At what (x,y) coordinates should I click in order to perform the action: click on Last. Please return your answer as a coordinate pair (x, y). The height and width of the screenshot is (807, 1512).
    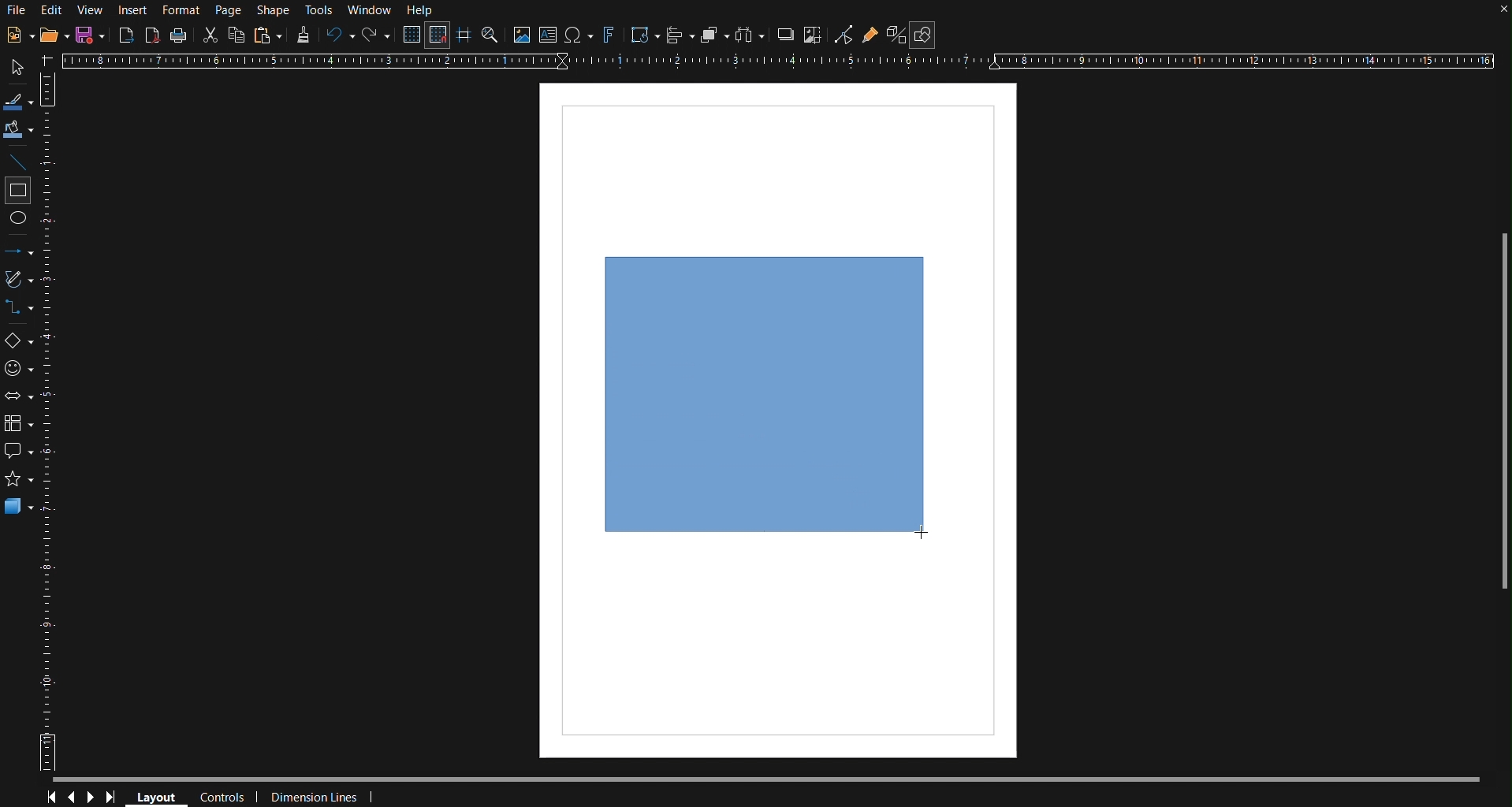
    Looking at the image, I should click on (115, 798).